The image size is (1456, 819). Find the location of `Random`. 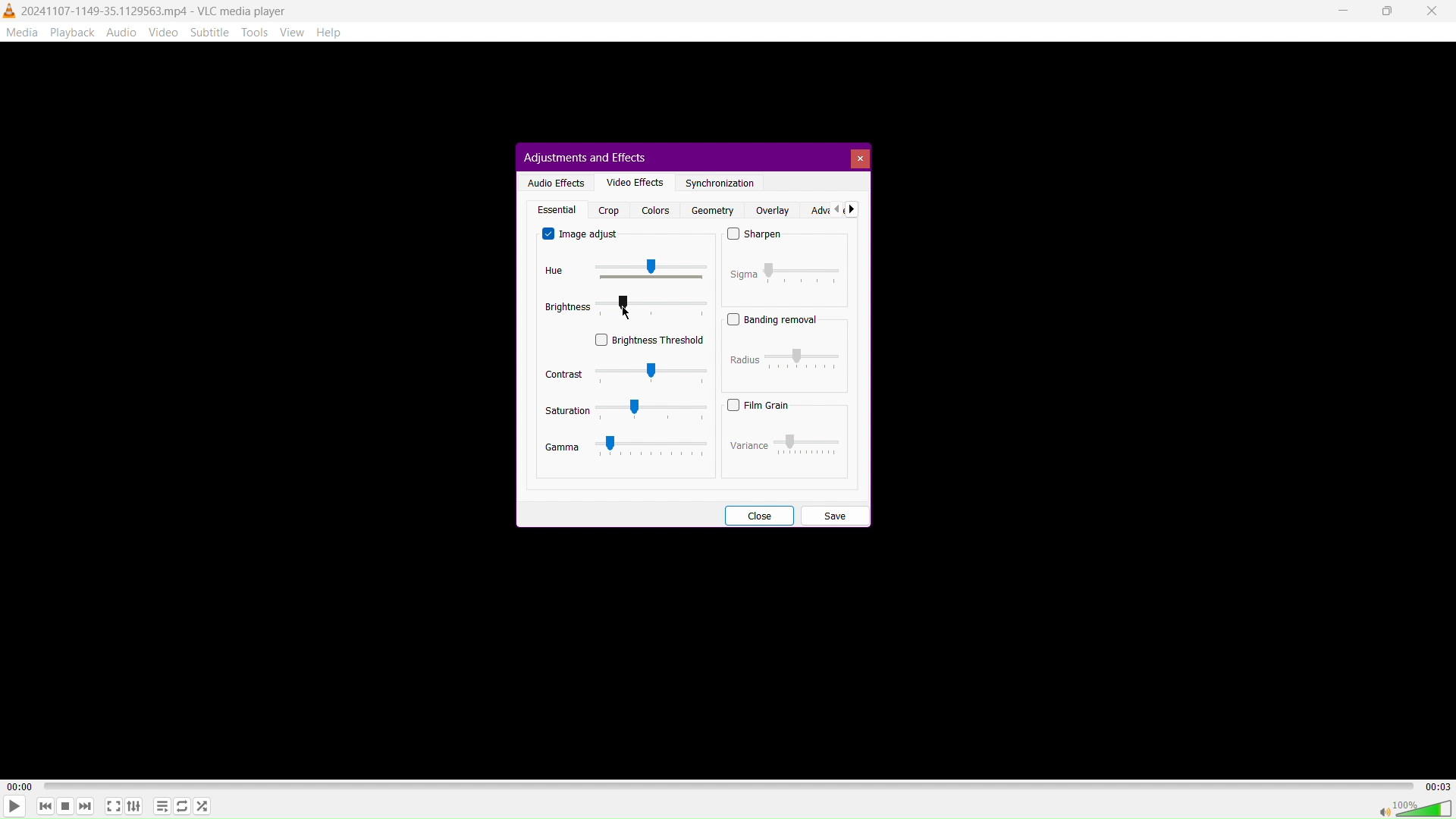

Random is located at coordinates (202, 805).